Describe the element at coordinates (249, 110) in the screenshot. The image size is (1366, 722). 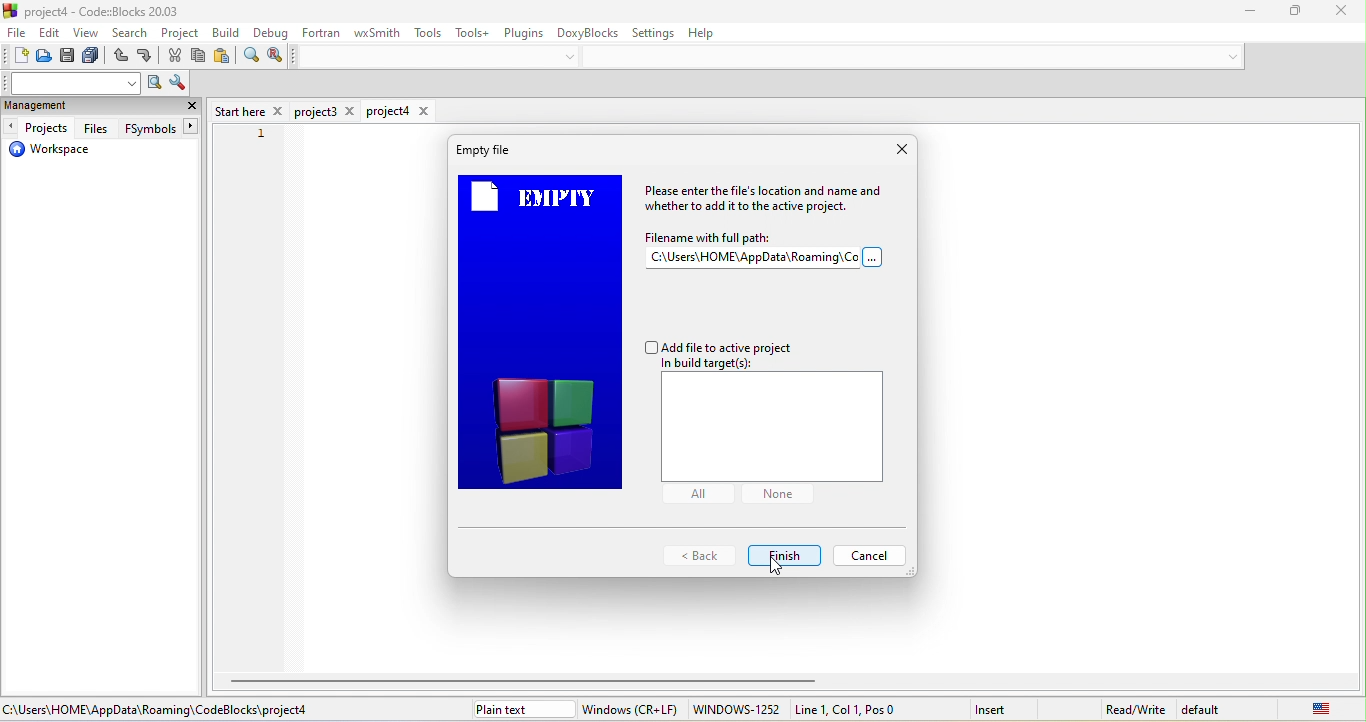
I see `start here` at that location.